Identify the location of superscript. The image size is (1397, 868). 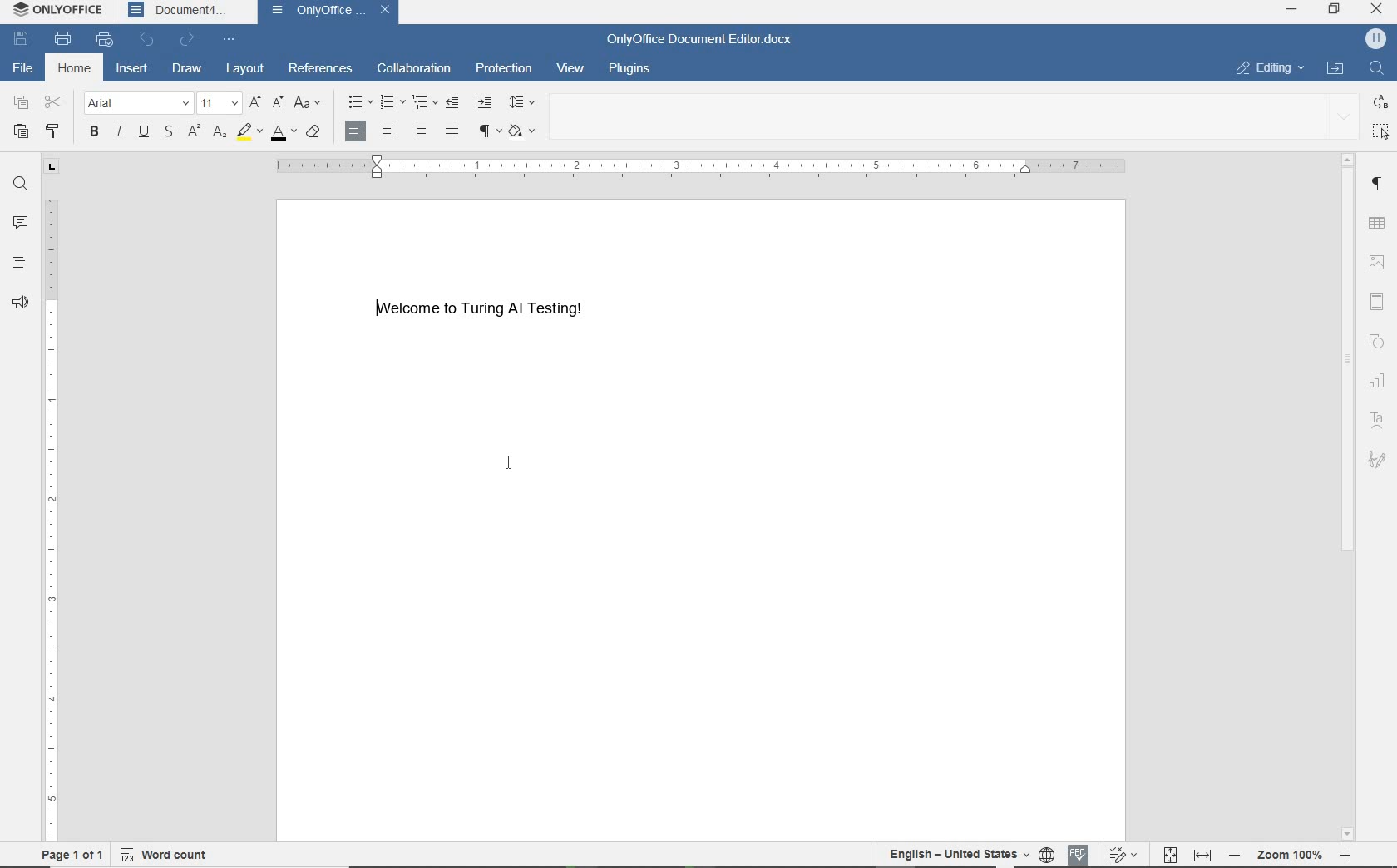
(192, 131).